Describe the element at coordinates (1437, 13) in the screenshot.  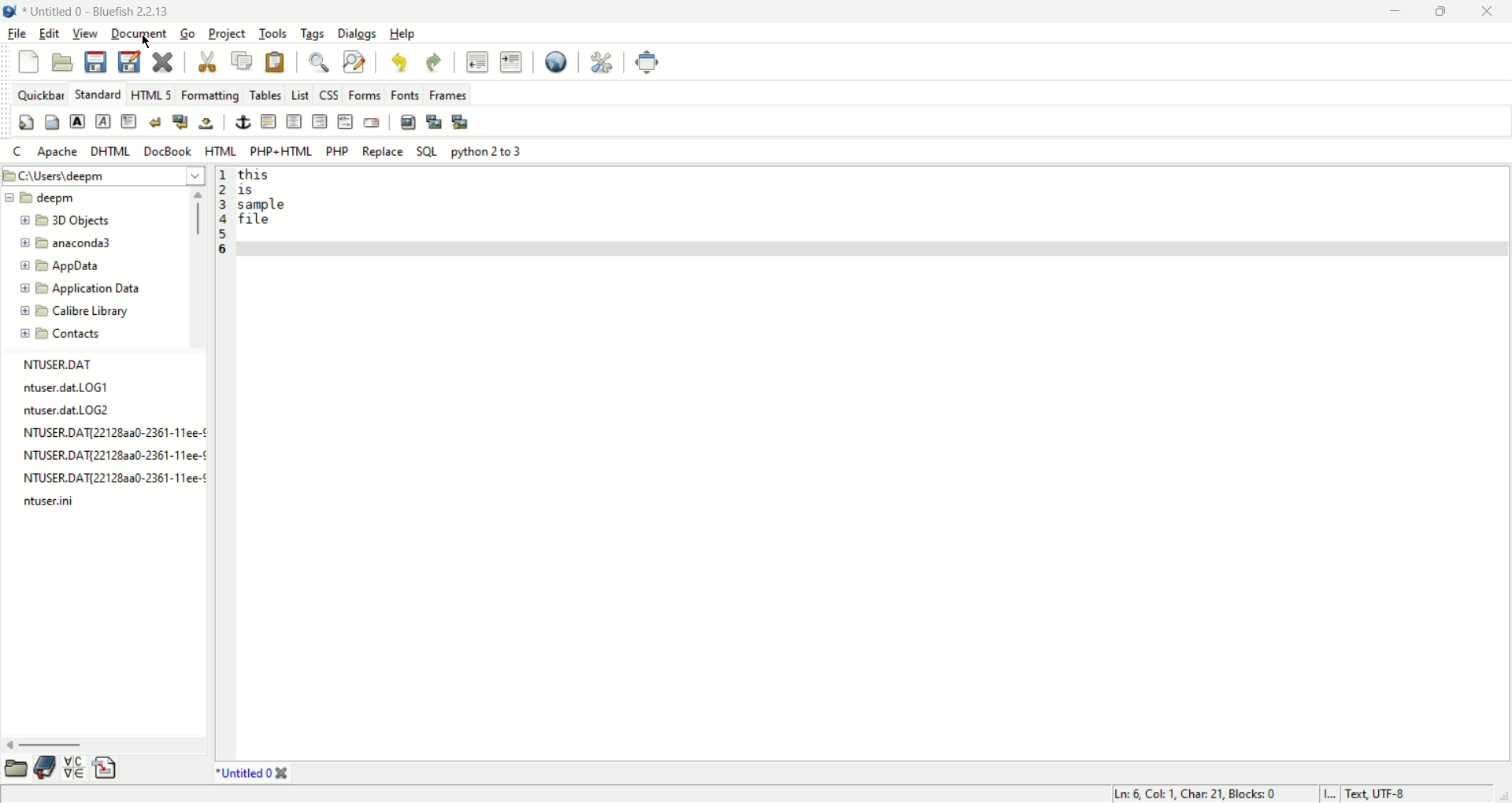
I see `maximize` at that location.